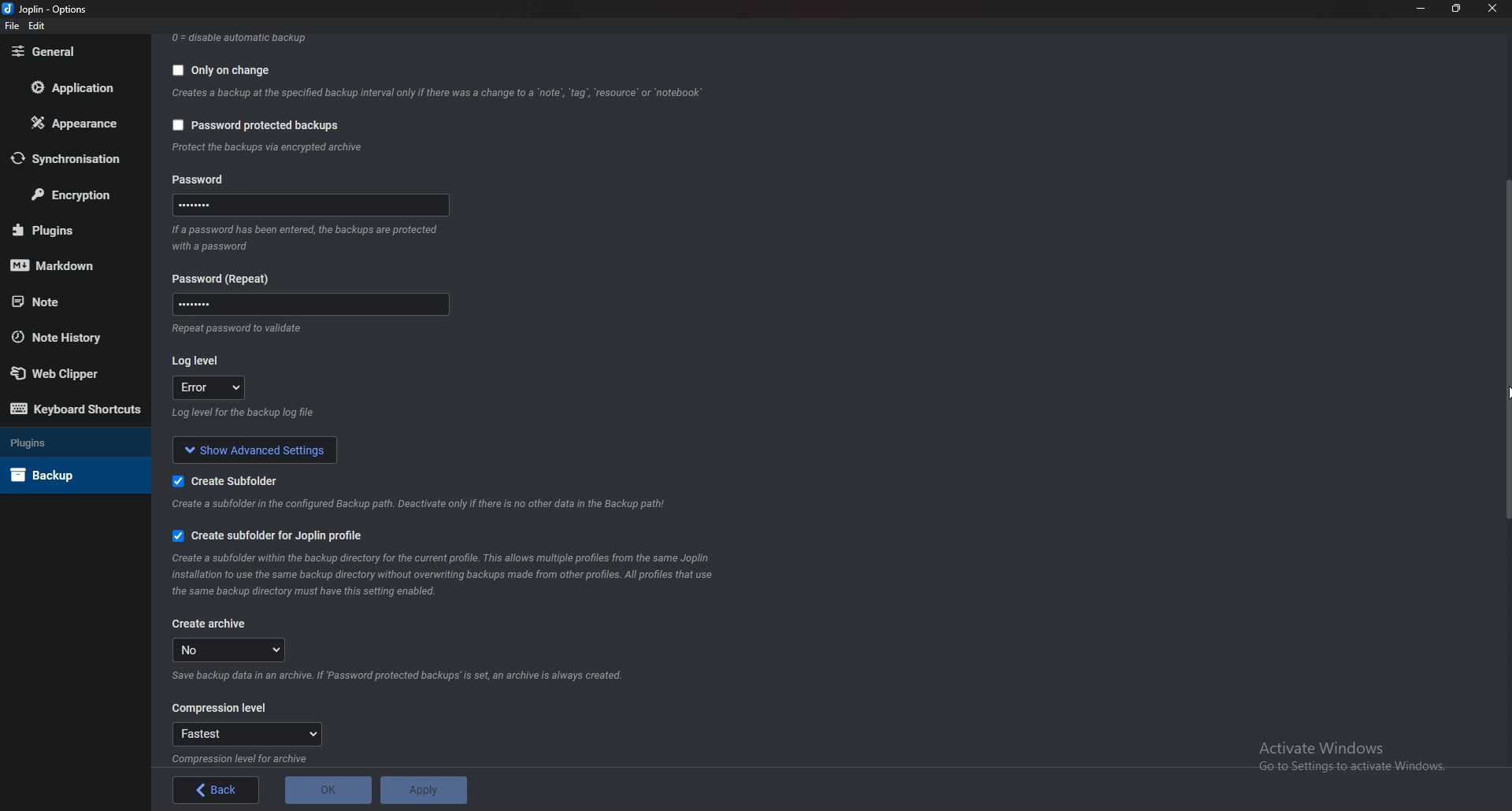 This screenshot has width=1512, height=811. I want to click on log level, so click(209, 387).